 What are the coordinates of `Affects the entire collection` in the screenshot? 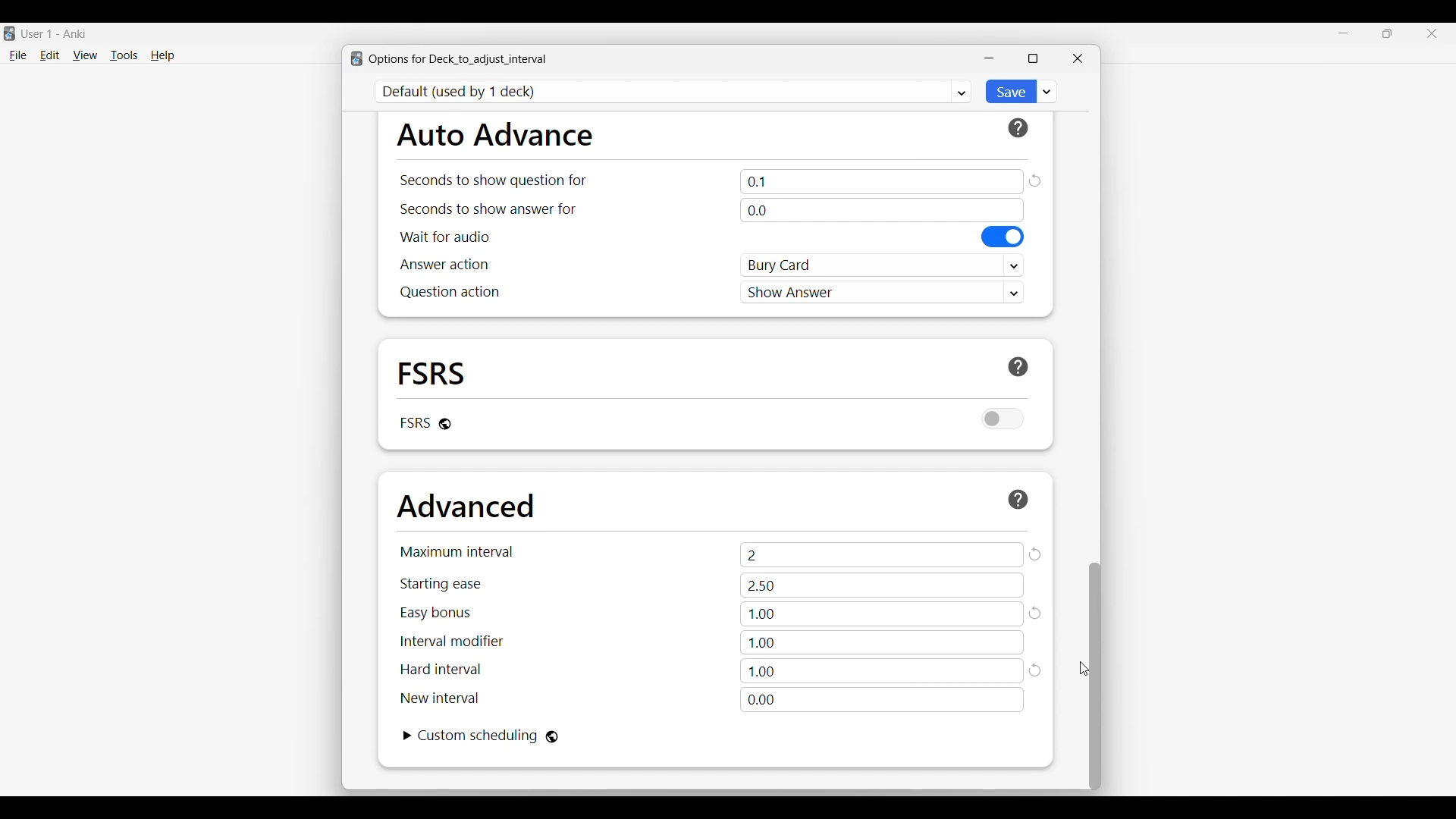 It's located at (445, 424).